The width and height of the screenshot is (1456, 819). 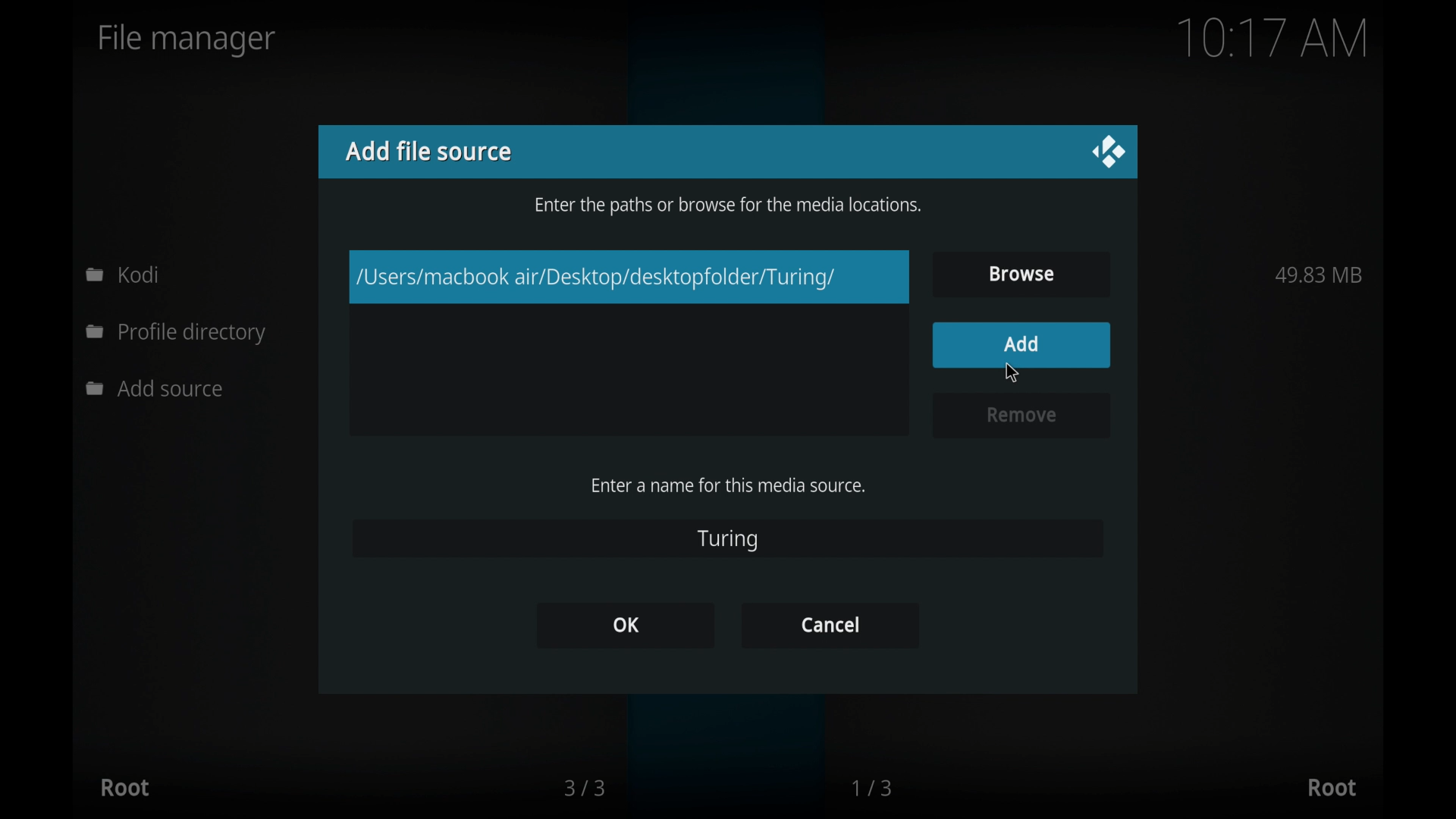 What do you see at coordinates (1273, 38) in the screenshot?
I see `10.17 am` at bounding box center [1273, 38].